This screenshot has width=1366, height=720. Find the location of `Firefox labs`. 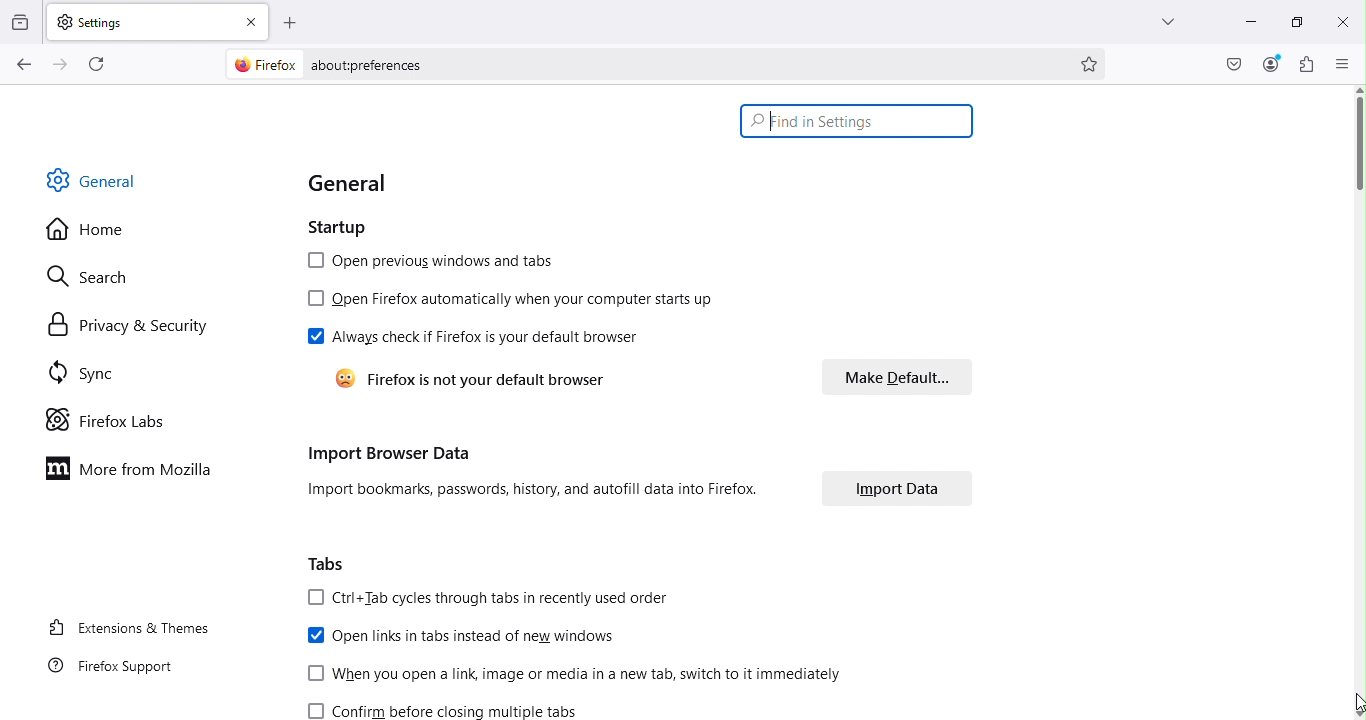

Firefox labs is located at coordinates (116, 417).